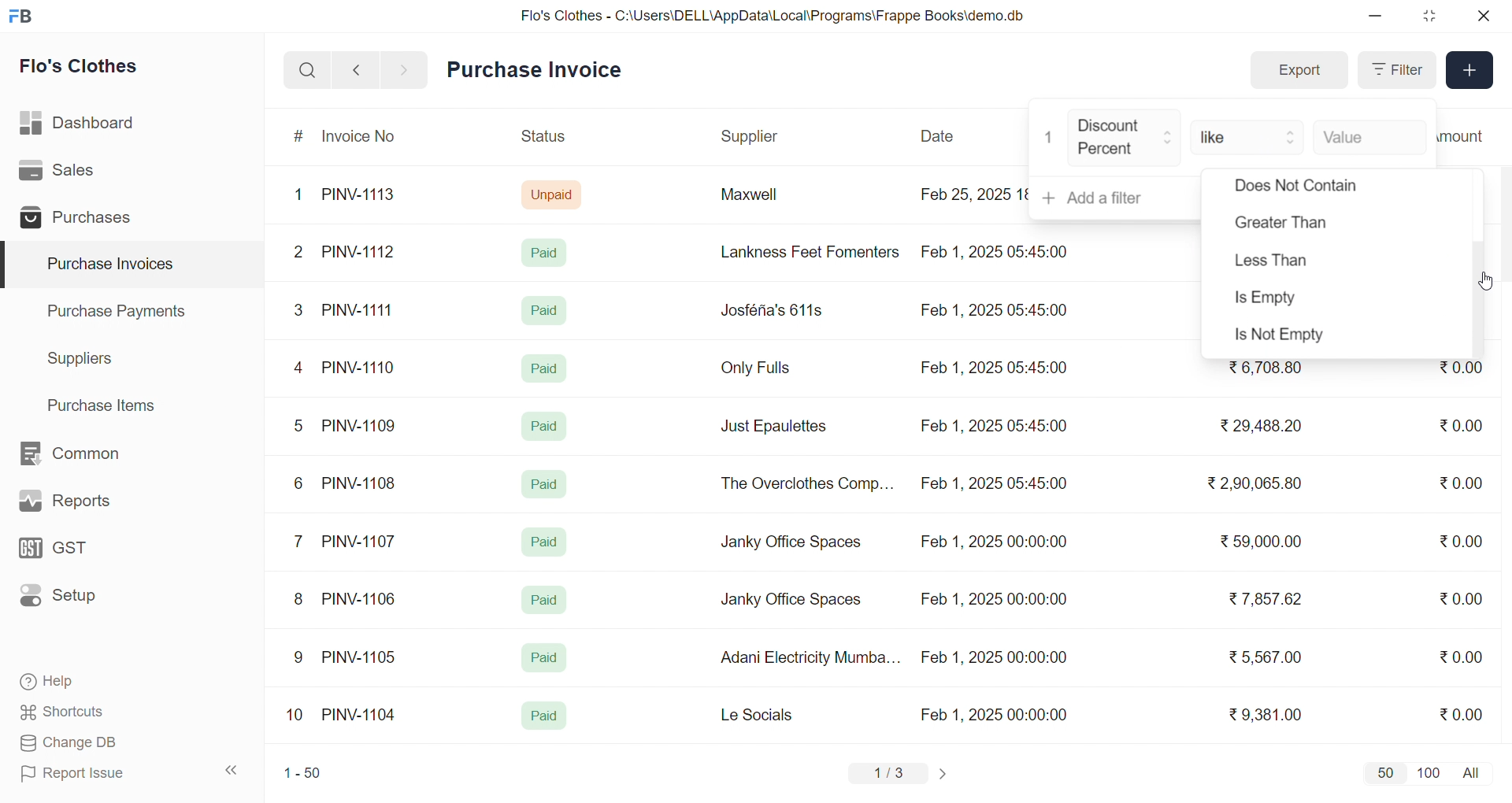 This screenshot has height=803, width=1512. I want to click on 1, so click(1050, 138).